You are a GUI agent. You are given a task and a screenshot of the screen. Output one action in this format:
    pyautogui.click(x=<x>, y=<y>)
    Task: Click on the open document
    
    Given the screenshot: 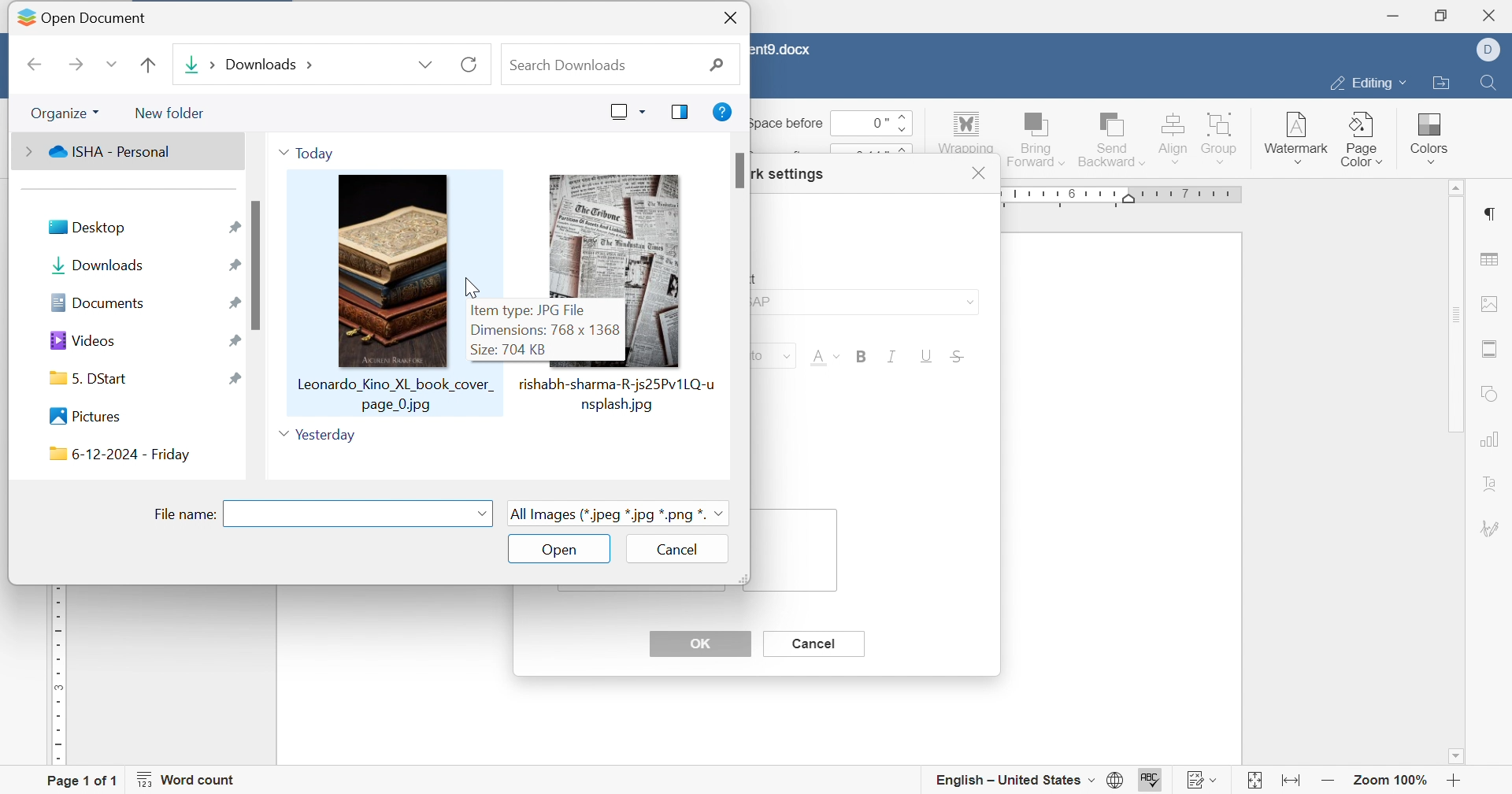 What is the action you would take?
    pyautogui.click(x=80, y=13)
    